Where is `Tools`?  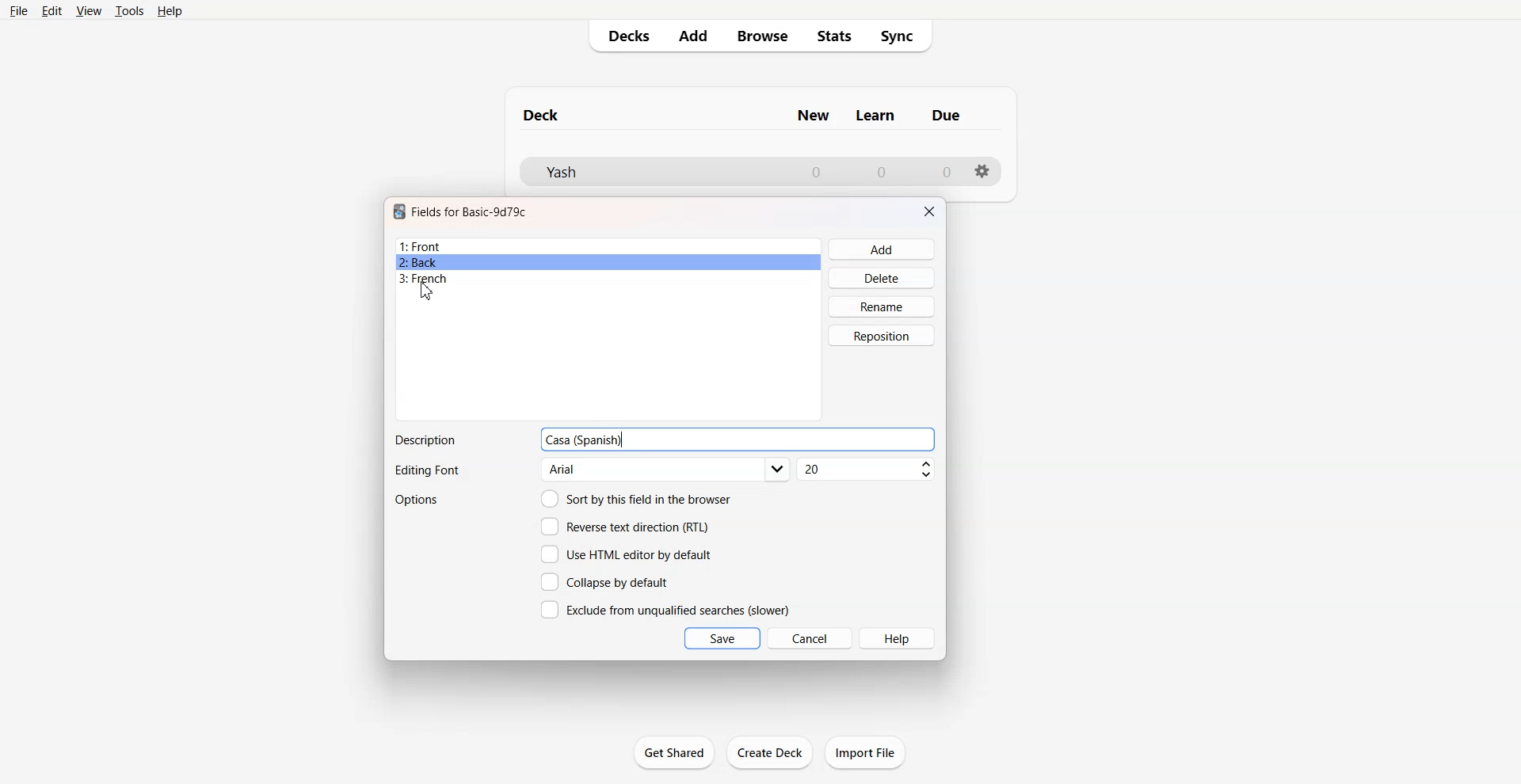
Tools is located at coordinates (129, 10).